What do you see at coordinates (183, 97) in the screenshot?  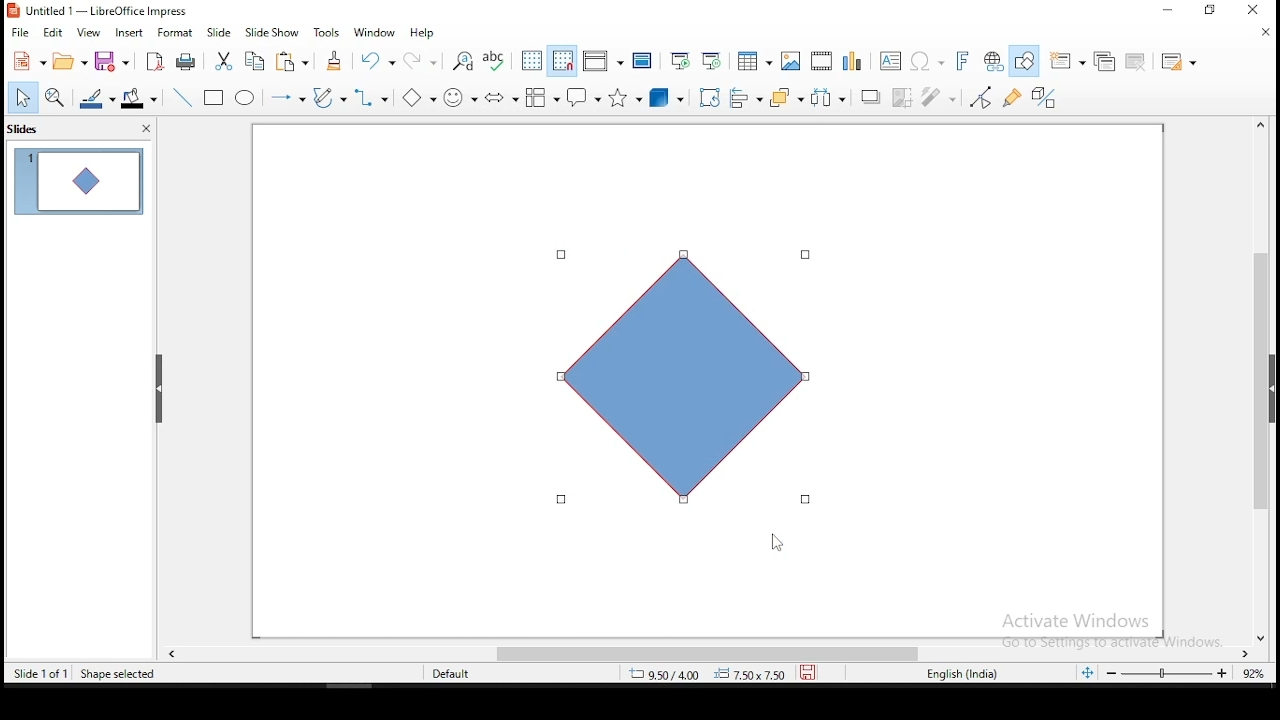 I see `line` at bounding box center [183, 97].